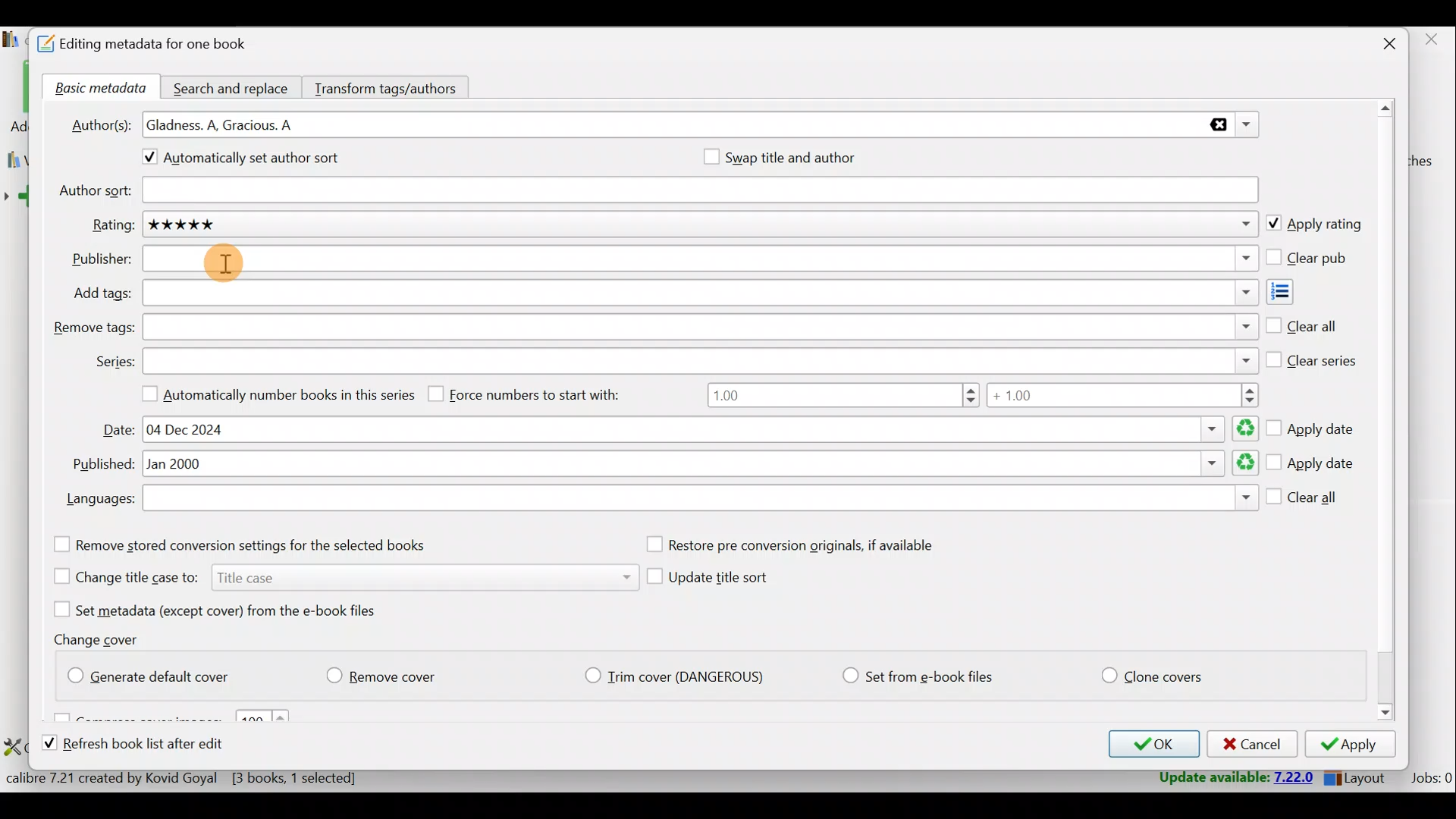 The width and height of the screenshot is (1456, 819). What do you see at coordinates (1250, 745) in the screenshot?
I see `Cancel` at bounding box center [1250, 745].